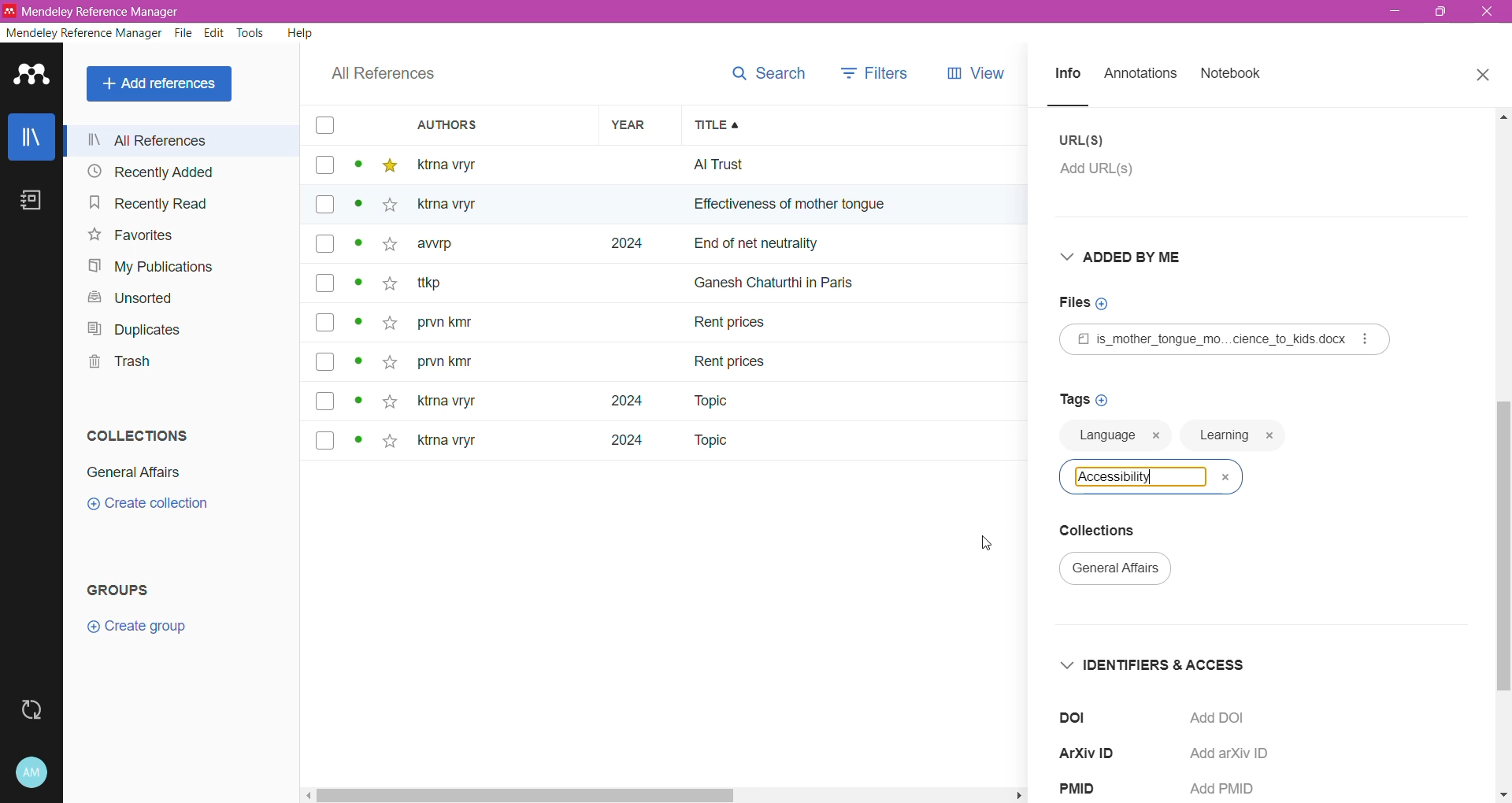 The image size is (1512, 803). What do you see at coordinates (387, 287) in the screenshot?
I see `star` at bounding box center [387, 287].